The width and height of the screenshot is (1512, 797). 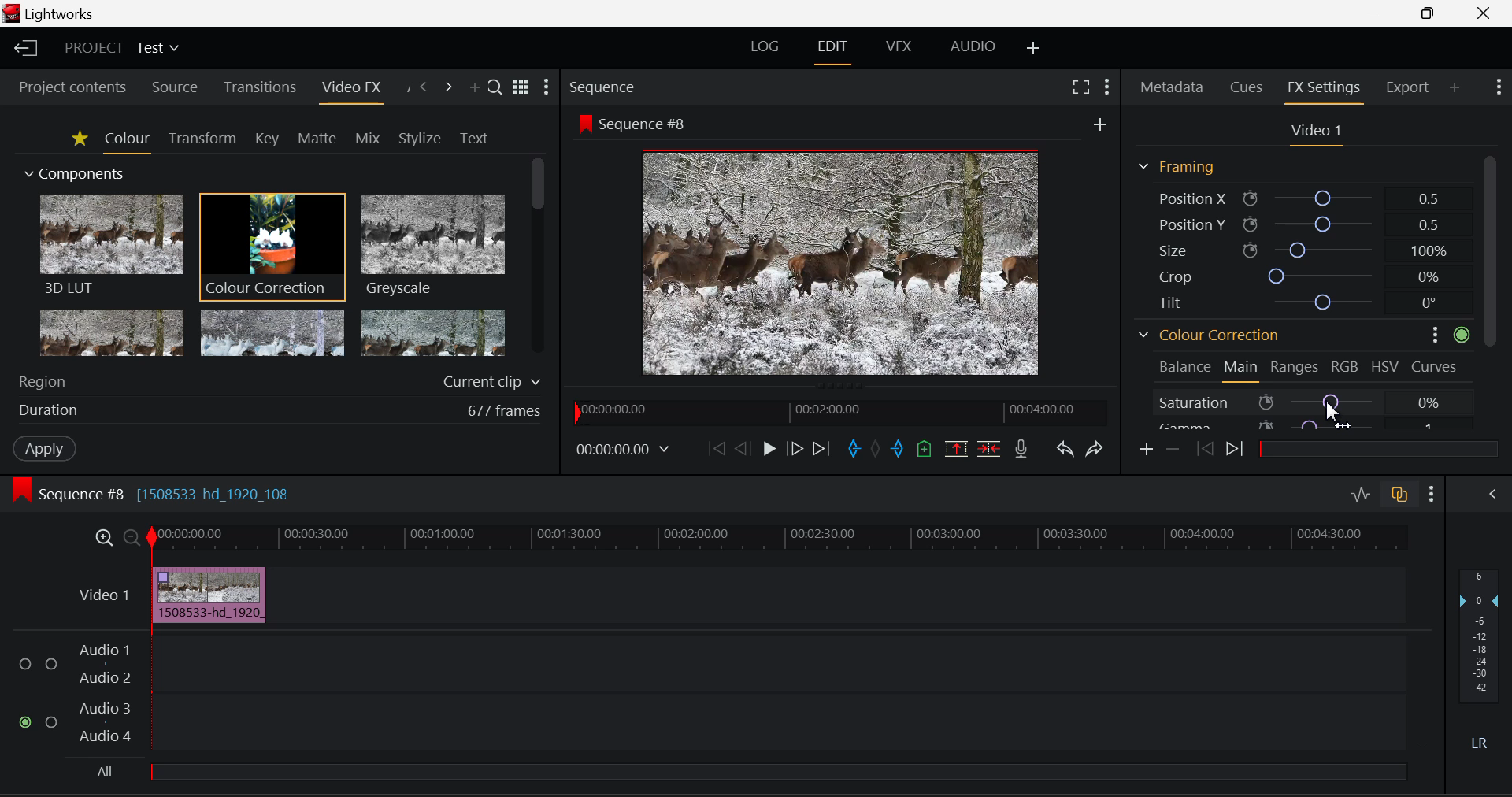 I want to click on Curves, so click(x=1436, y=365).